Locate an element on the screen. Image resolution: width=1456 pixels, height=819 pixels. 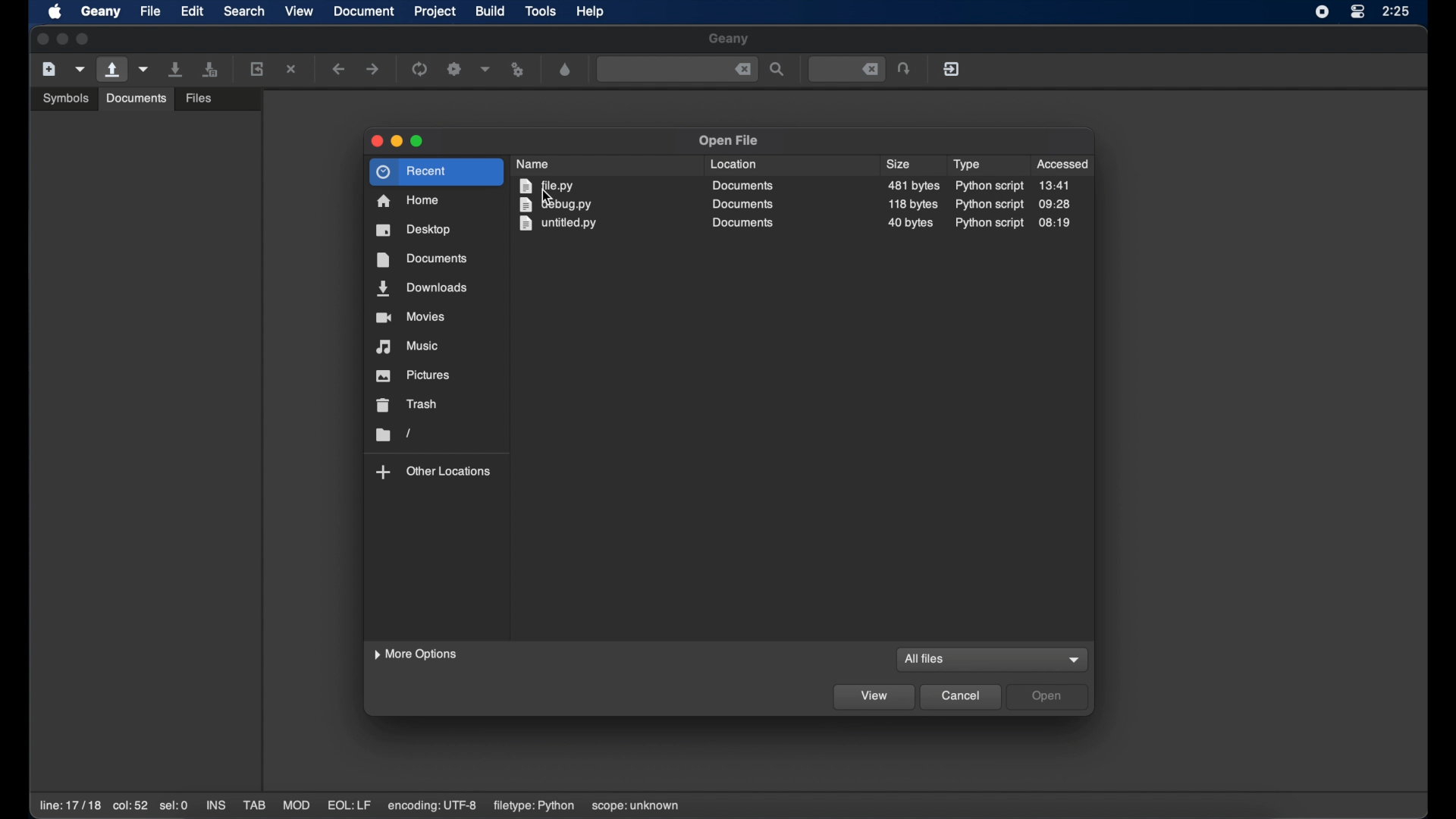
geany is located at coordinates (728, 39).